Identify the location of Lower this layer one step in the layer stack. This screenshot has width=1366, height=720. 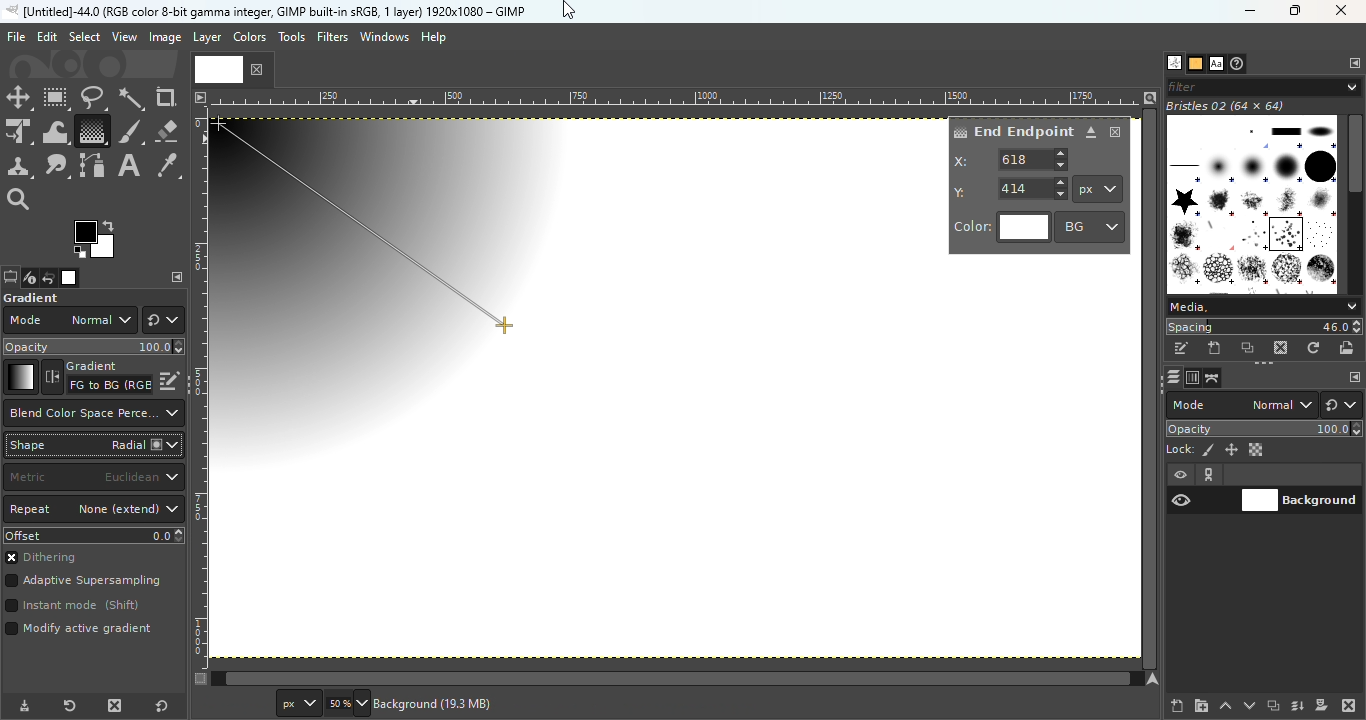
(1249, 706).